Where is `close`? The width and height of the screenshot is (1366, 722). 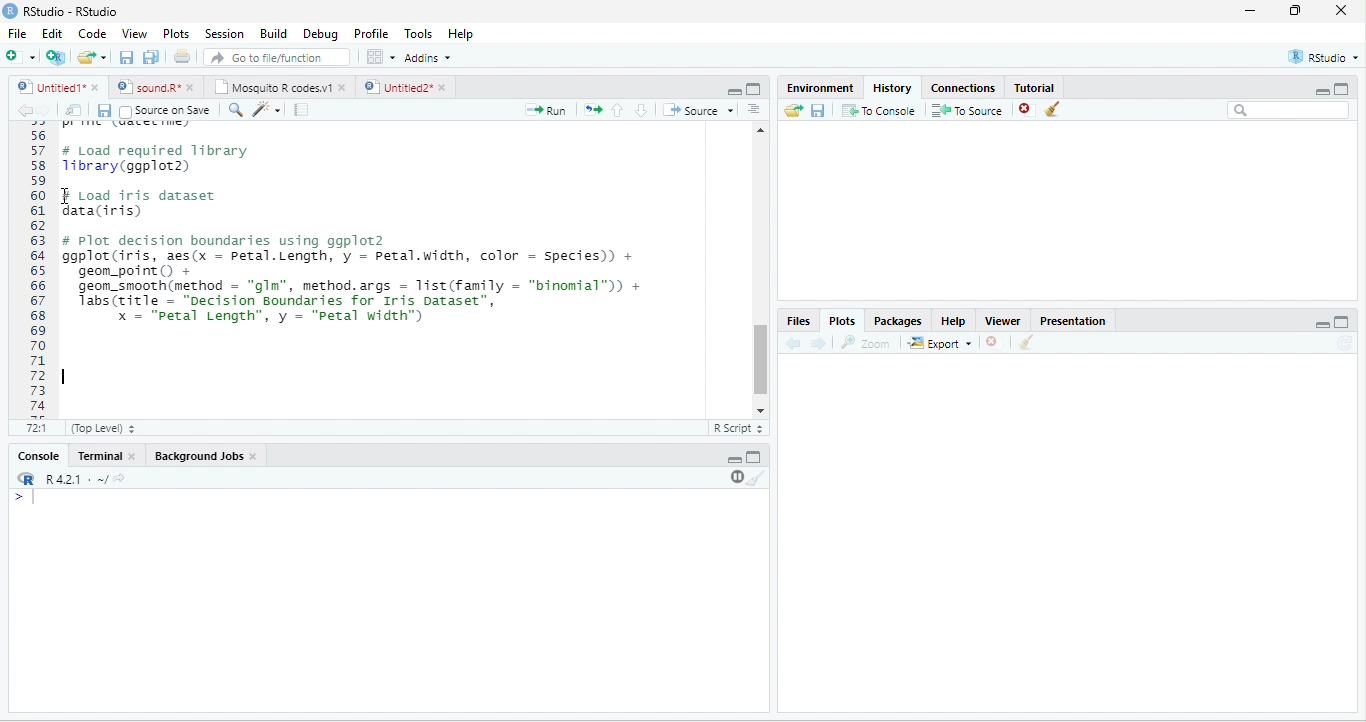
close is located at coordinates (134, 457).